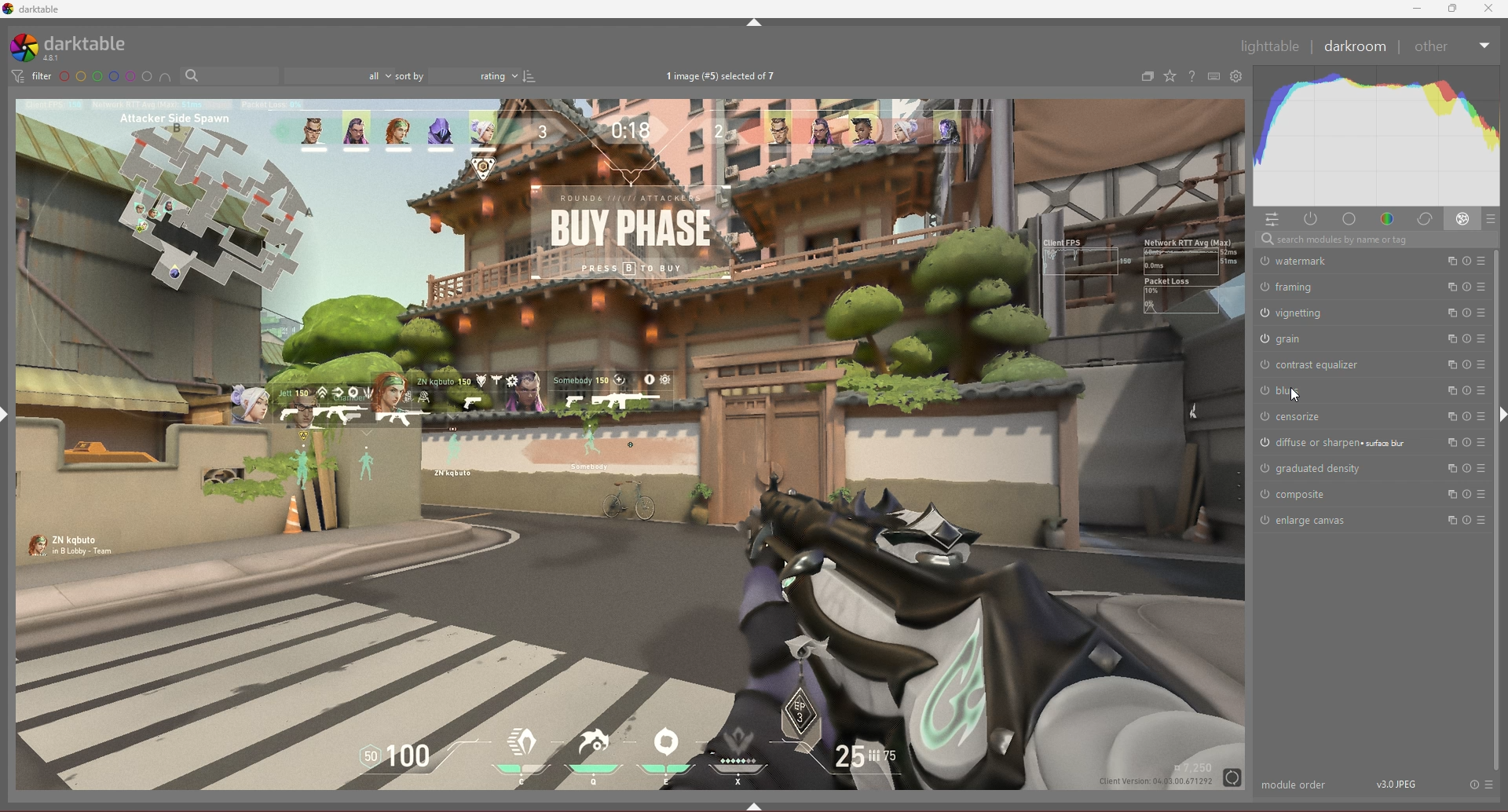 This screenshot has height=812, width=1508. I want to click on filter by images rating, so click(339, 75).